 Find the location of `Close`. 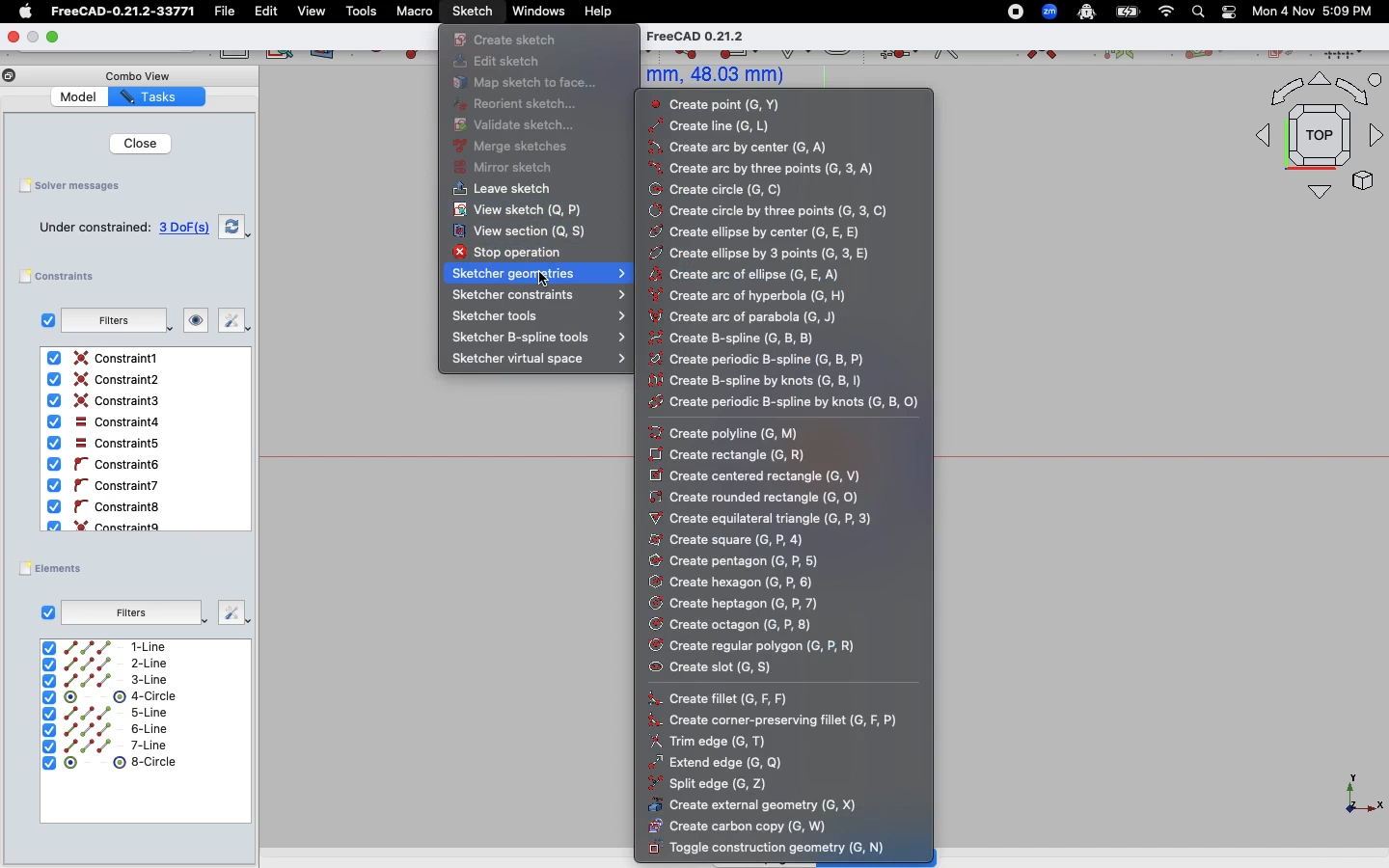

Close is located at coordinates (13, 35).